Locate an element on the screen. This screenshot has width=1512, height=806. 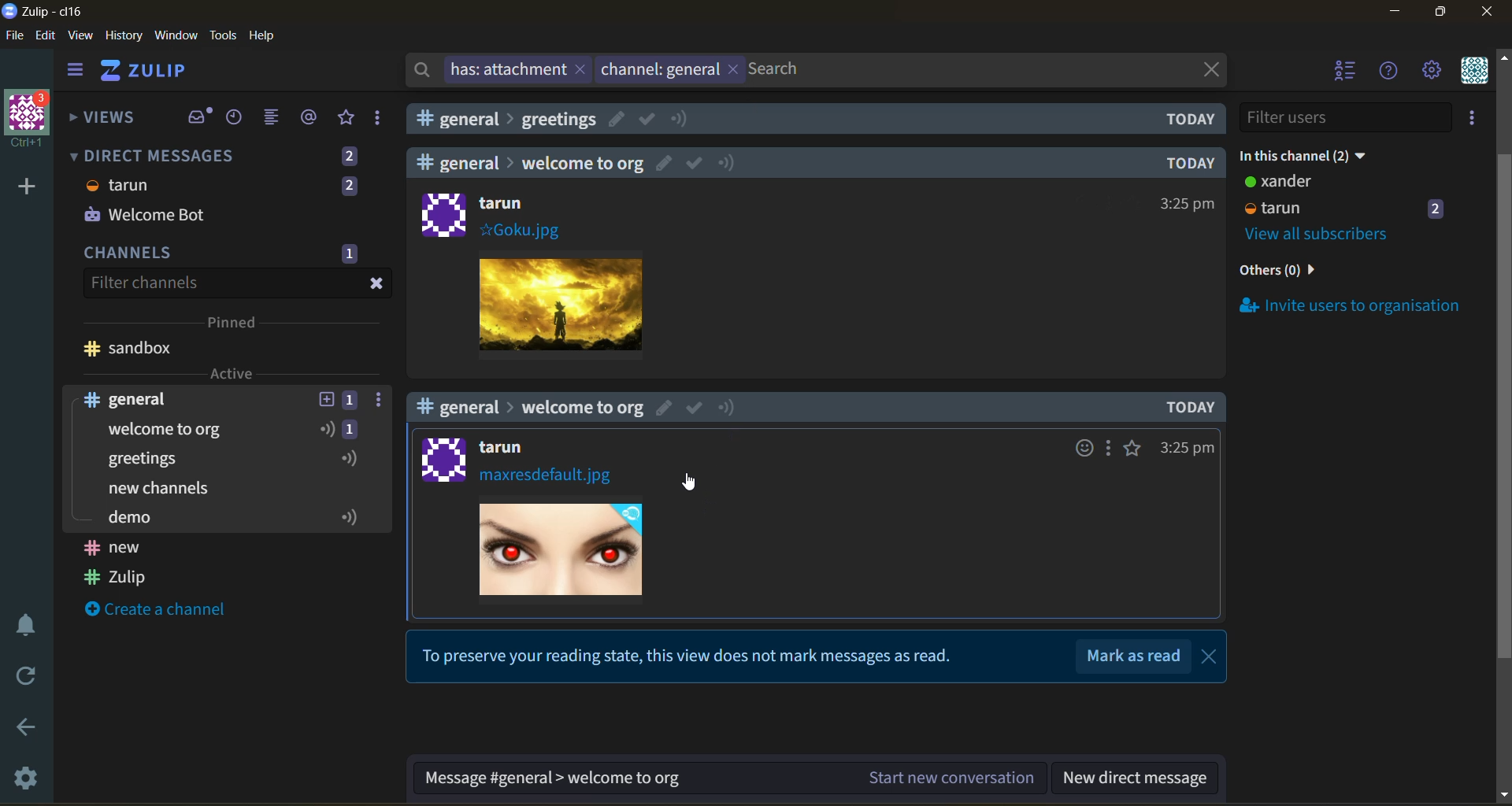
drafts and reactions is located at coordinates (379, 119).